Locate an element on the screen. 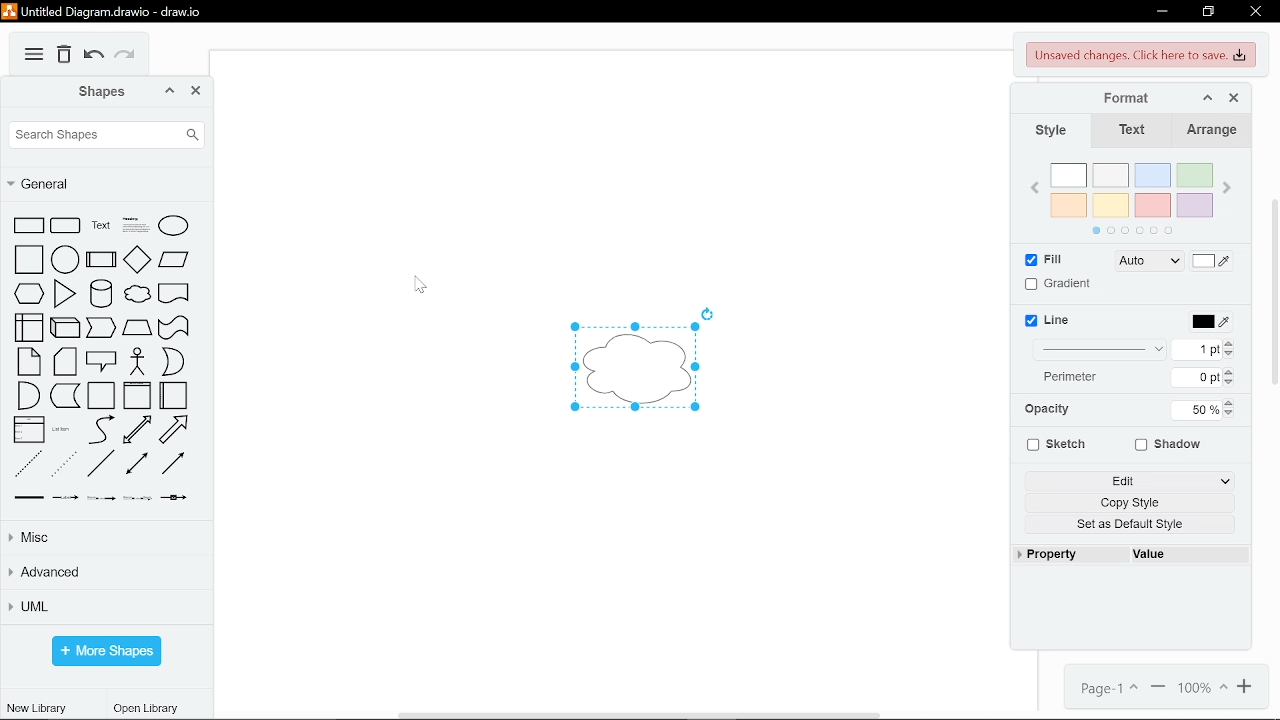 The height and width of the screenshot is (720, 1280). connector with three label is located at coordinates (138, 498).